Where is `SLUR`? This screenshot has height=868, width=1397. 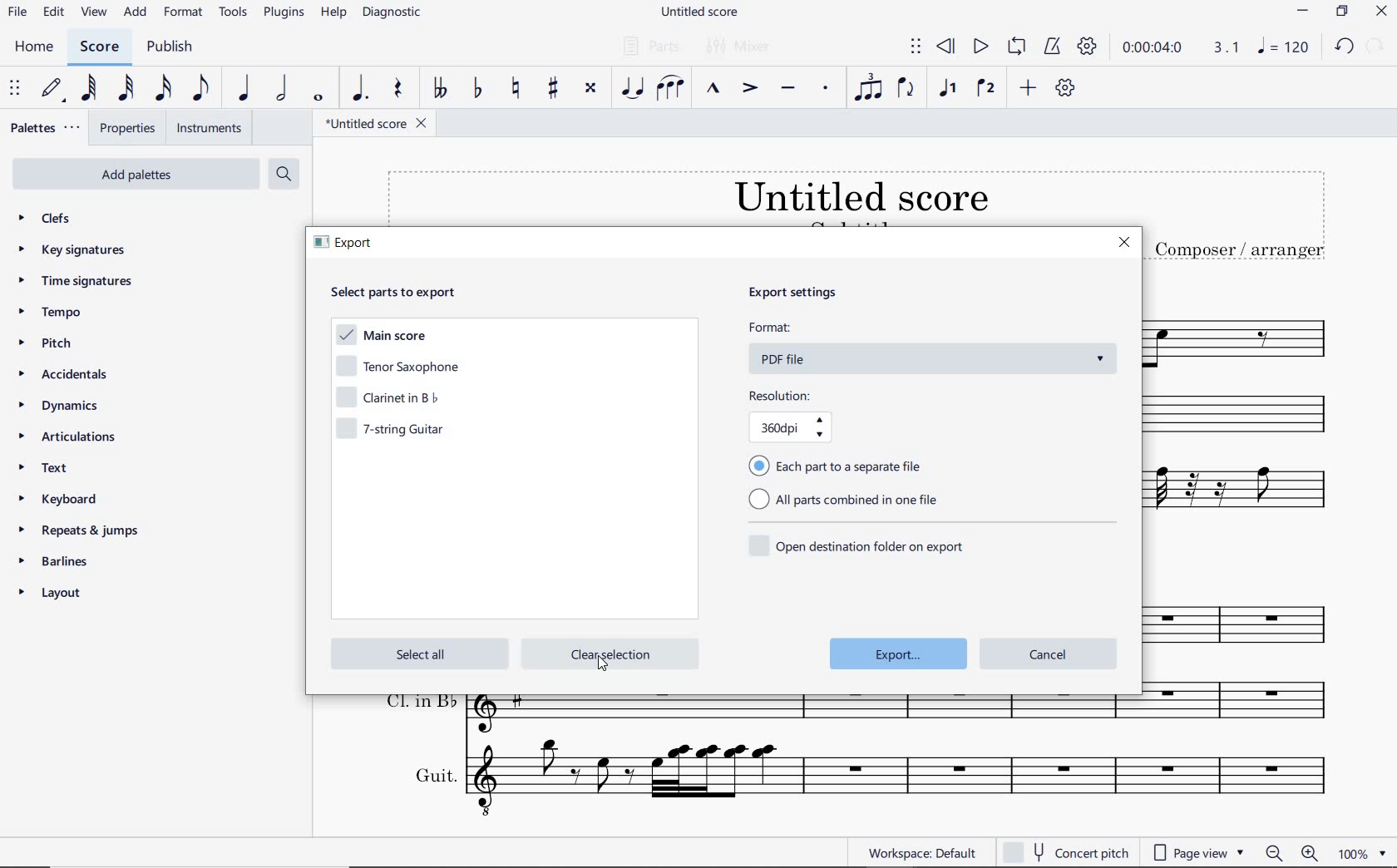
SLUR is located at coordinates (669, 86).